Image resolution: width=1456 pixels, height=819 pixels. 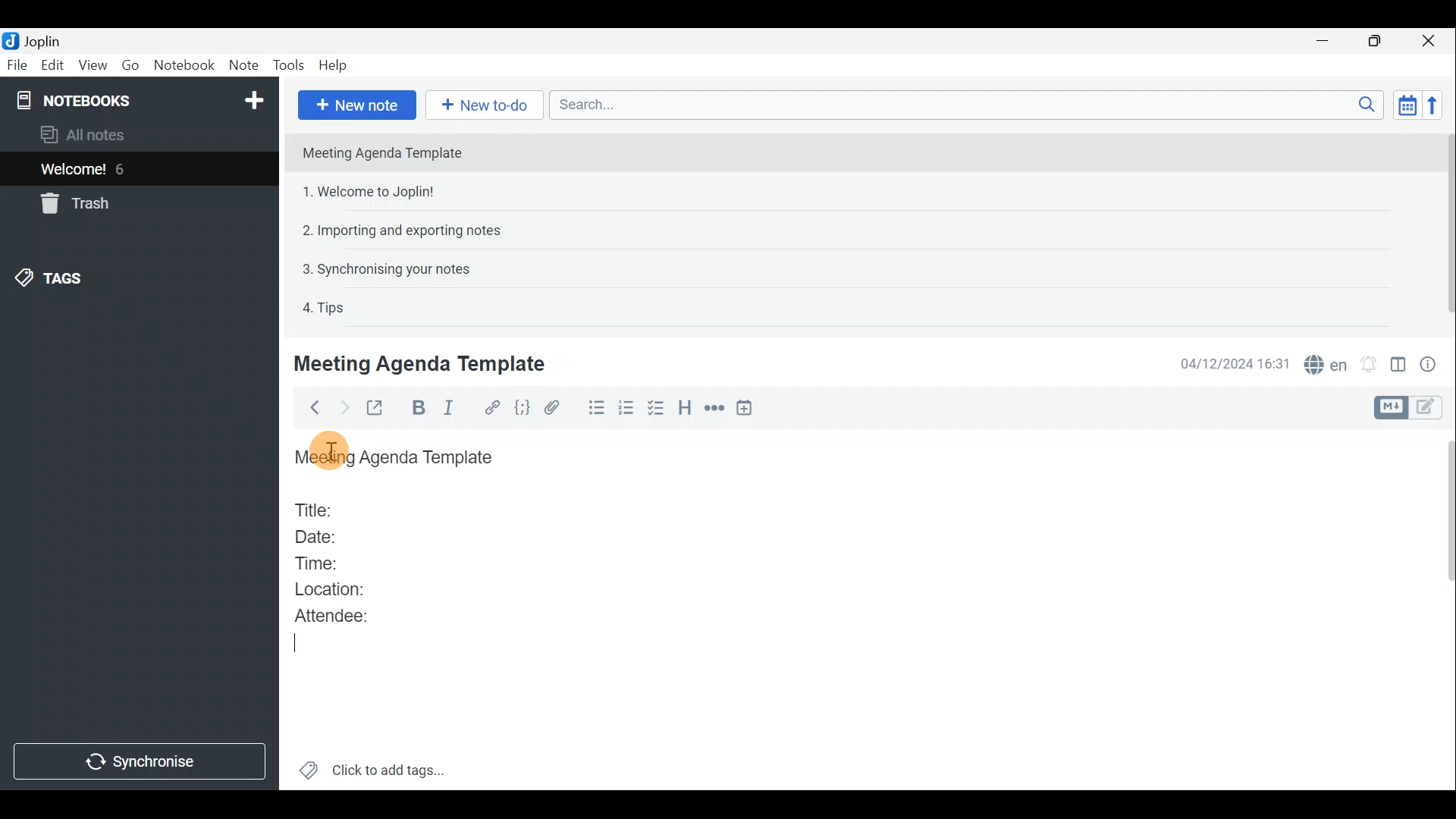 I want to click on Welcome!, so click(x=74, y=171).